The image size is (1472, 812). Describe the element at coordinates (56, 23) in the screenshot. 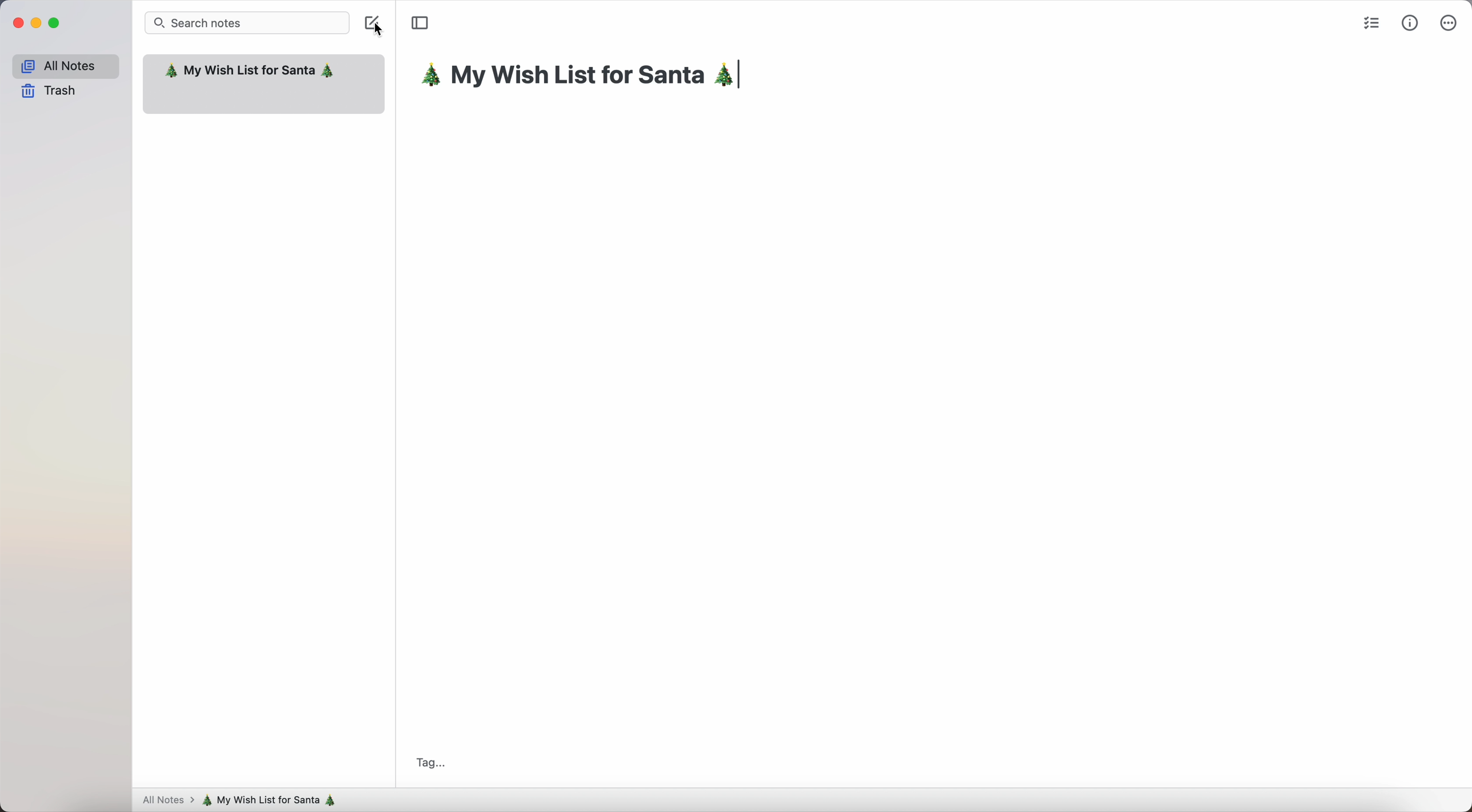

I see `maximize` at that location.